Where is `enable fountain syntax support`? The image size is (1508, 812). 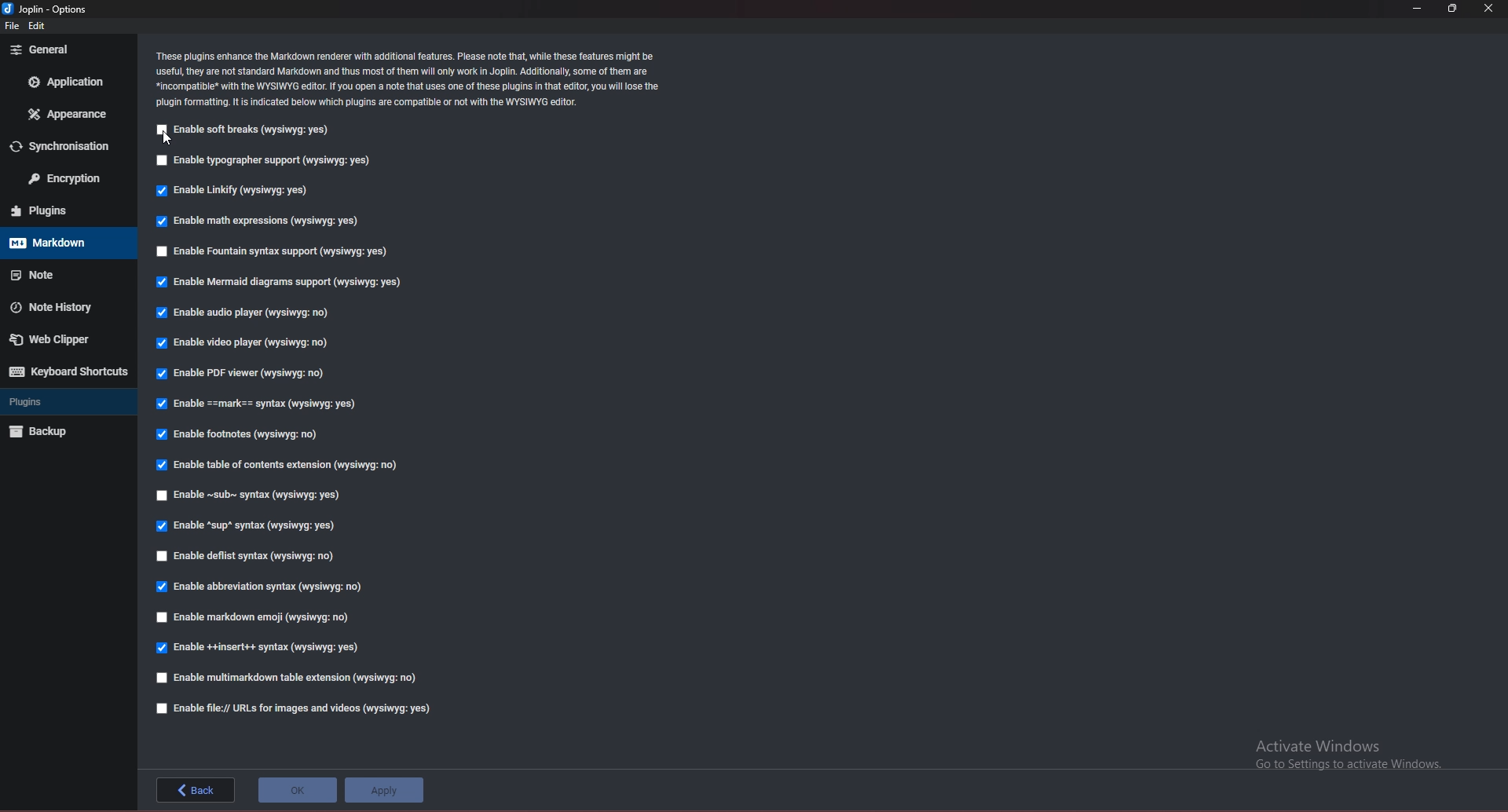
enable fountain syntax support is located at coordinates (267, 251).